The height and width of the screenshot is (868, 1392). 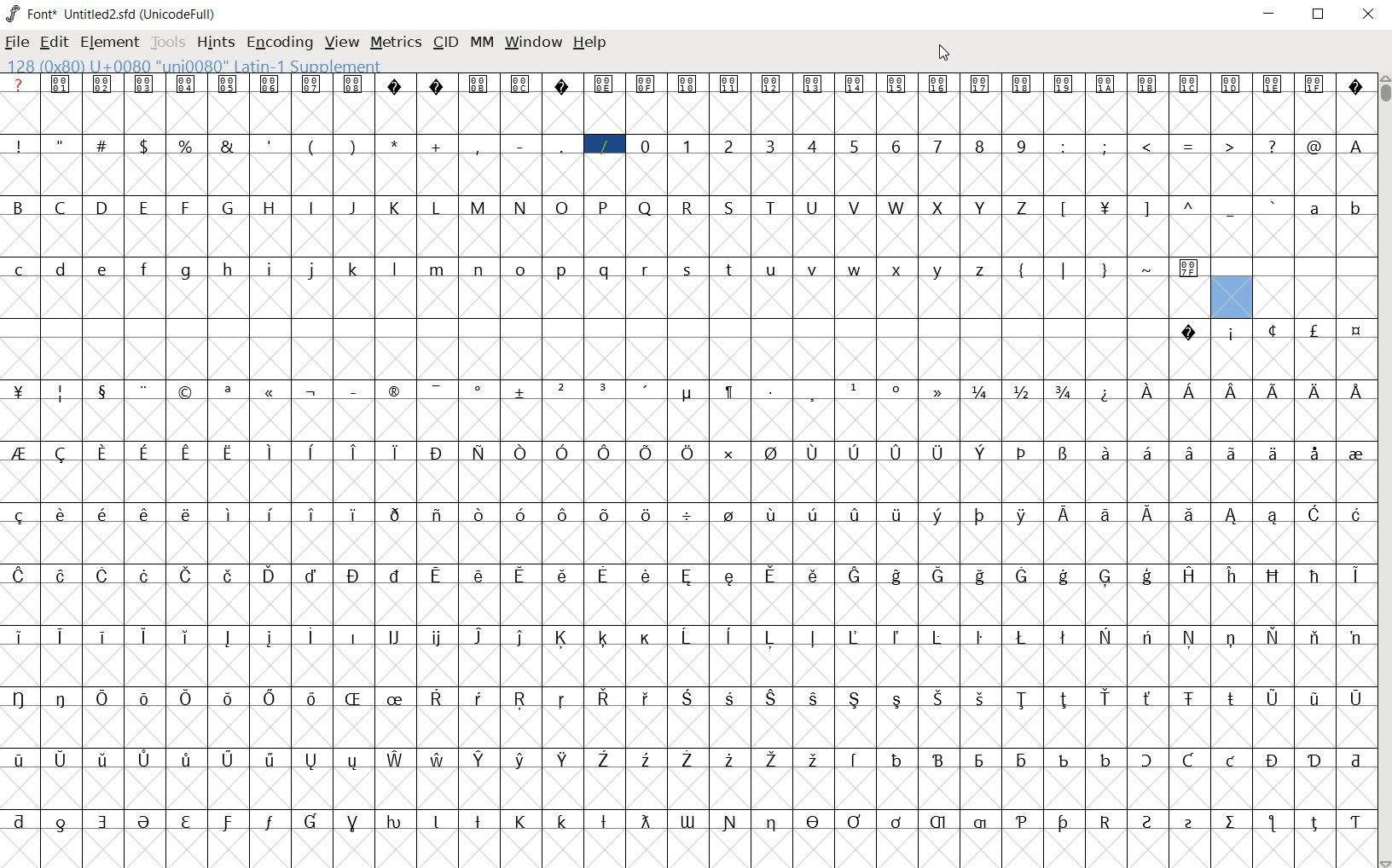 What do you see at coordinates (478, 453) in the screenshot?
I see `glyph` at bounding box center [478, 453].